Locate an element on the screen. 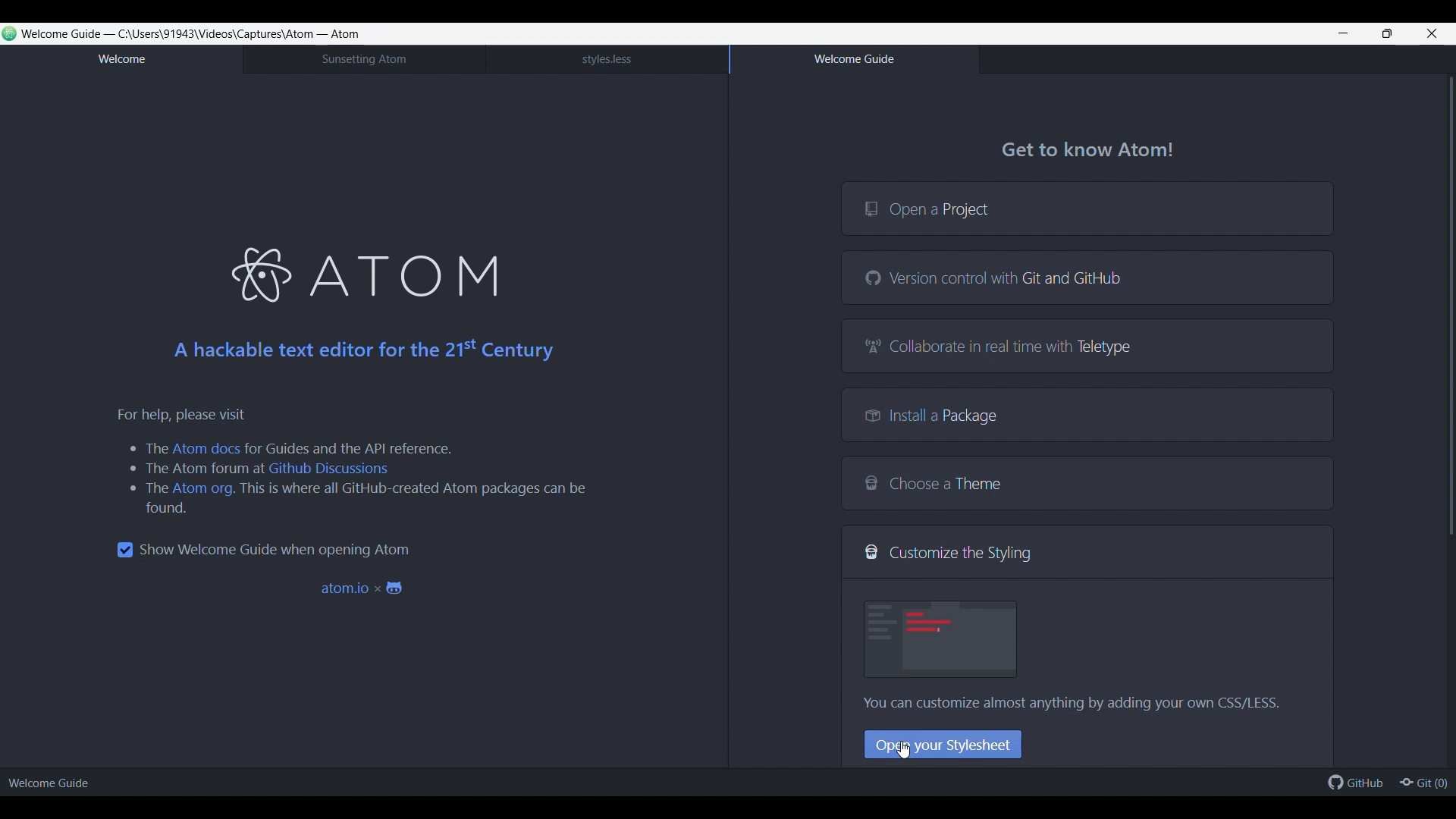 This screenshot has height=819, width=1456. Git is located at coordinates (1423, 781).